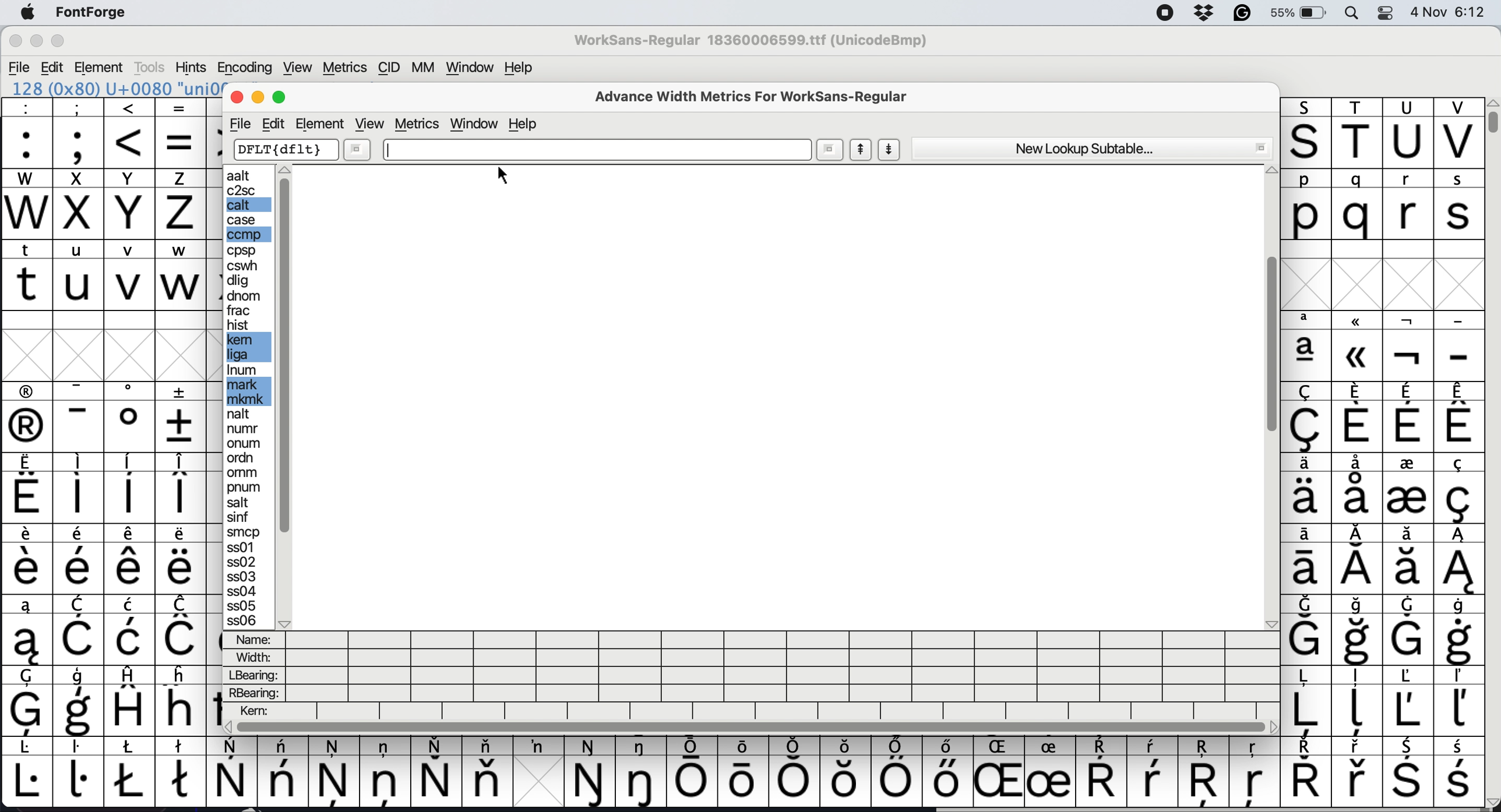 This screenshot has width=1501, height=812. I want to click on edit, so click(275, 124).